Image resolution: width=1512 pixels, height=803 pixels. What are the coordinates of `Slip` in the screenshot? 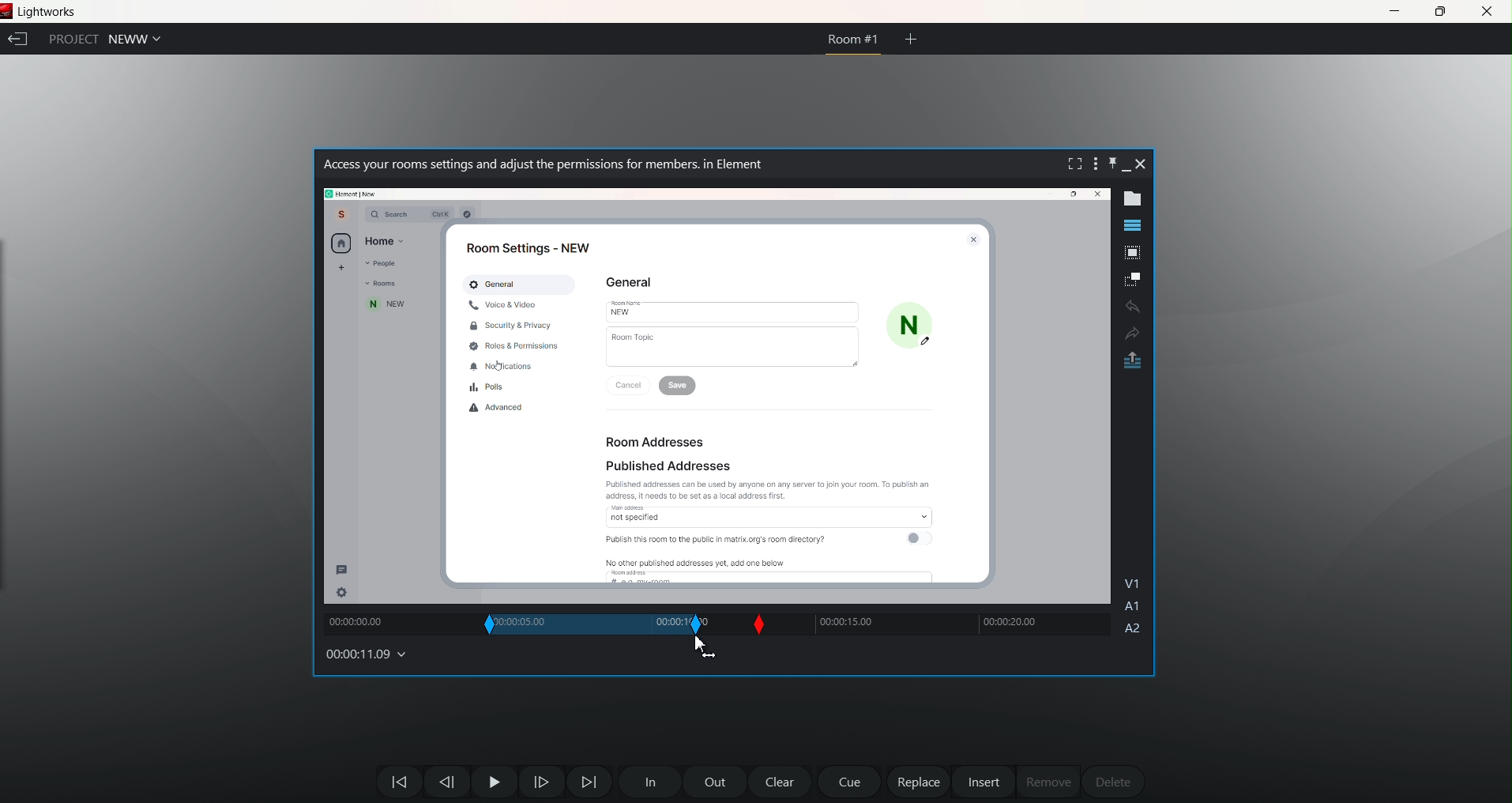 It's located at (758, 625).